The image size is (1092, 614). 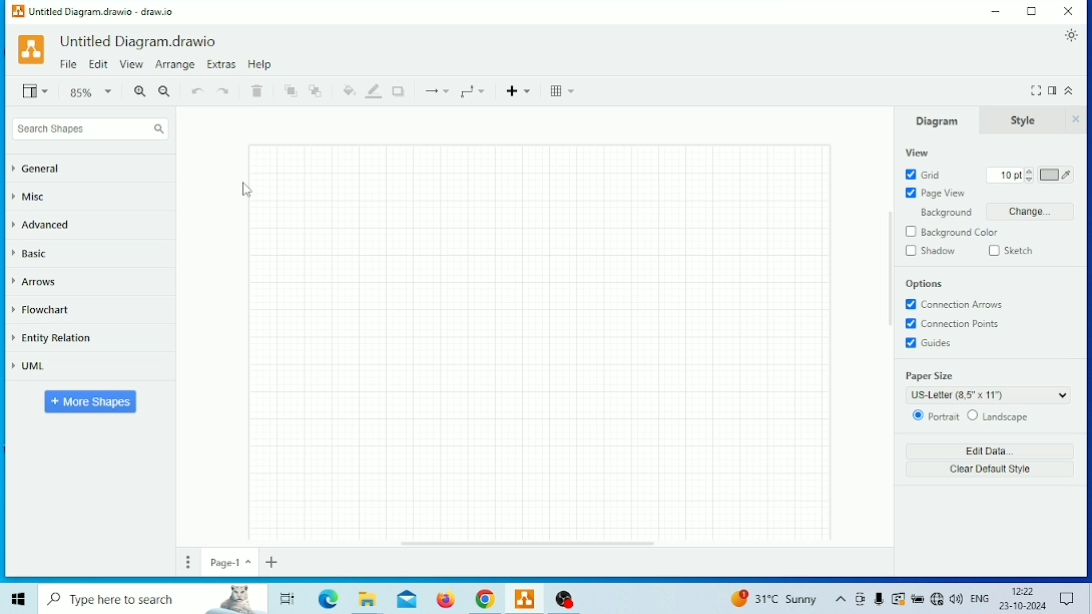 What do you see at coordinates (937, 598) in the screenshot?
I see `Internet` at bounding box center [937, 598].